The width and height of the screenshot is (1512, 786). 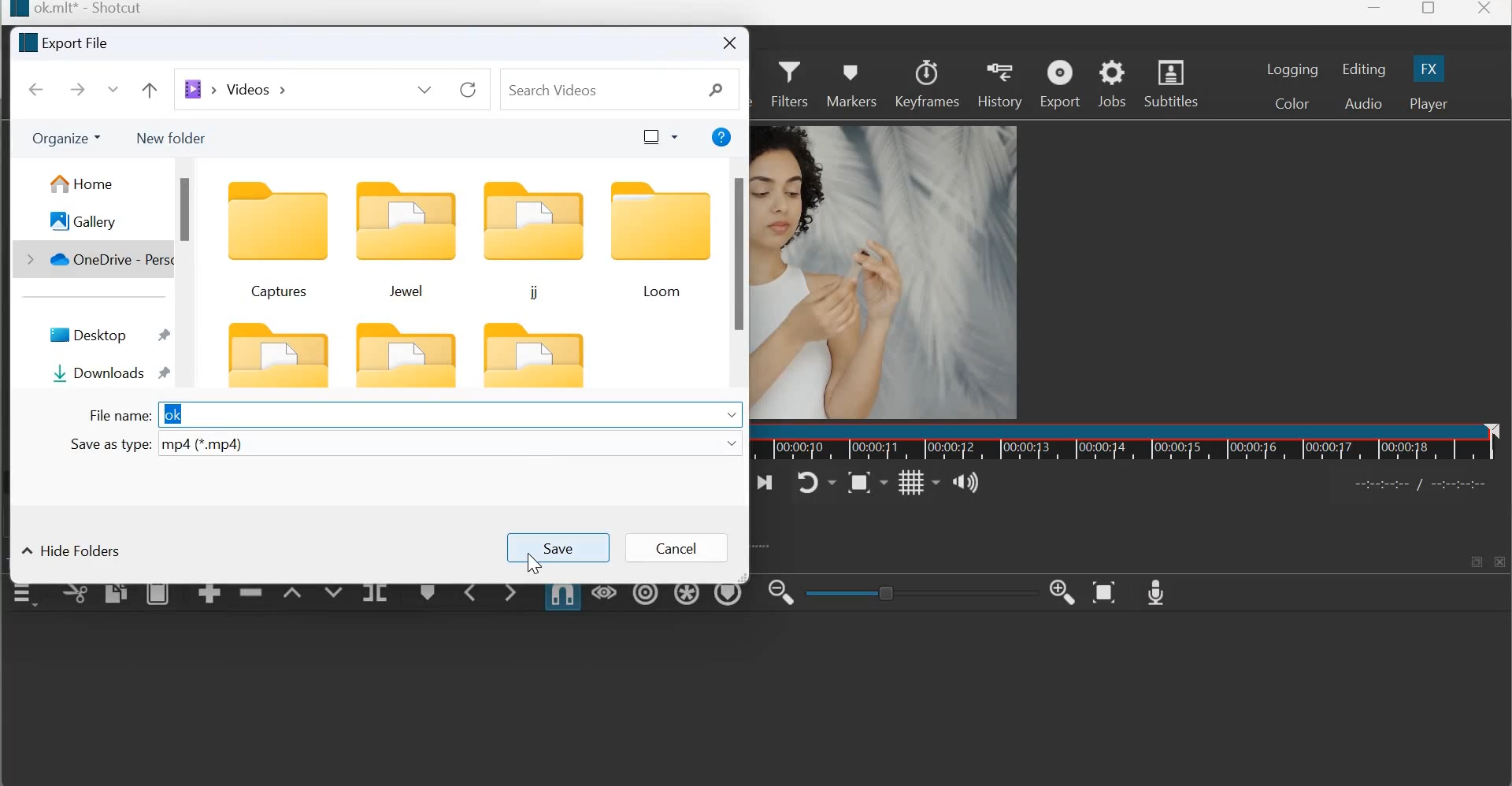 I want to click on back, so click(x=34, y=87).